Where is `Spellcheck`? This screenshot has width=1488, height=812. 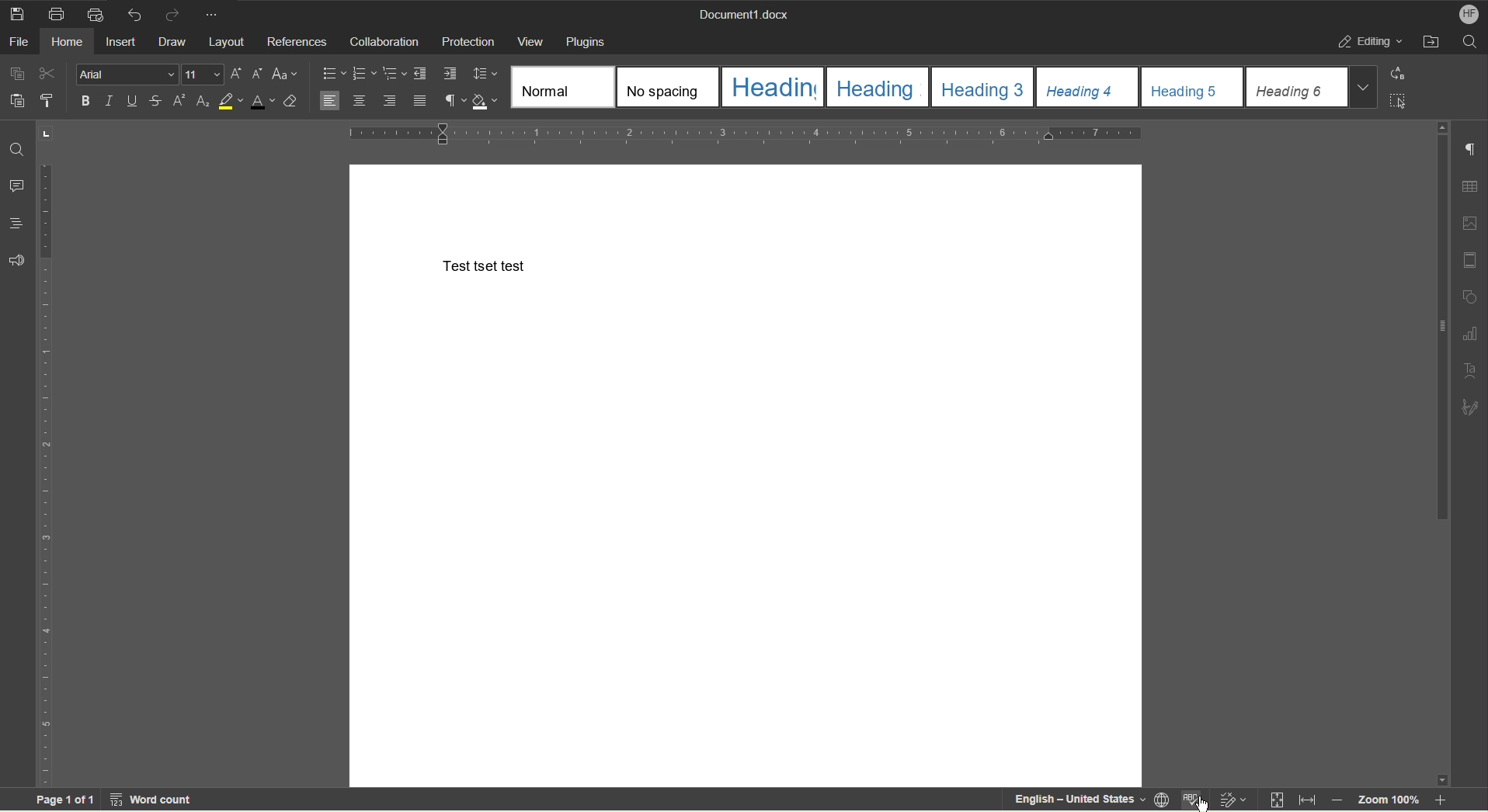
Spellcheck is located at coordinates (1194, 801).